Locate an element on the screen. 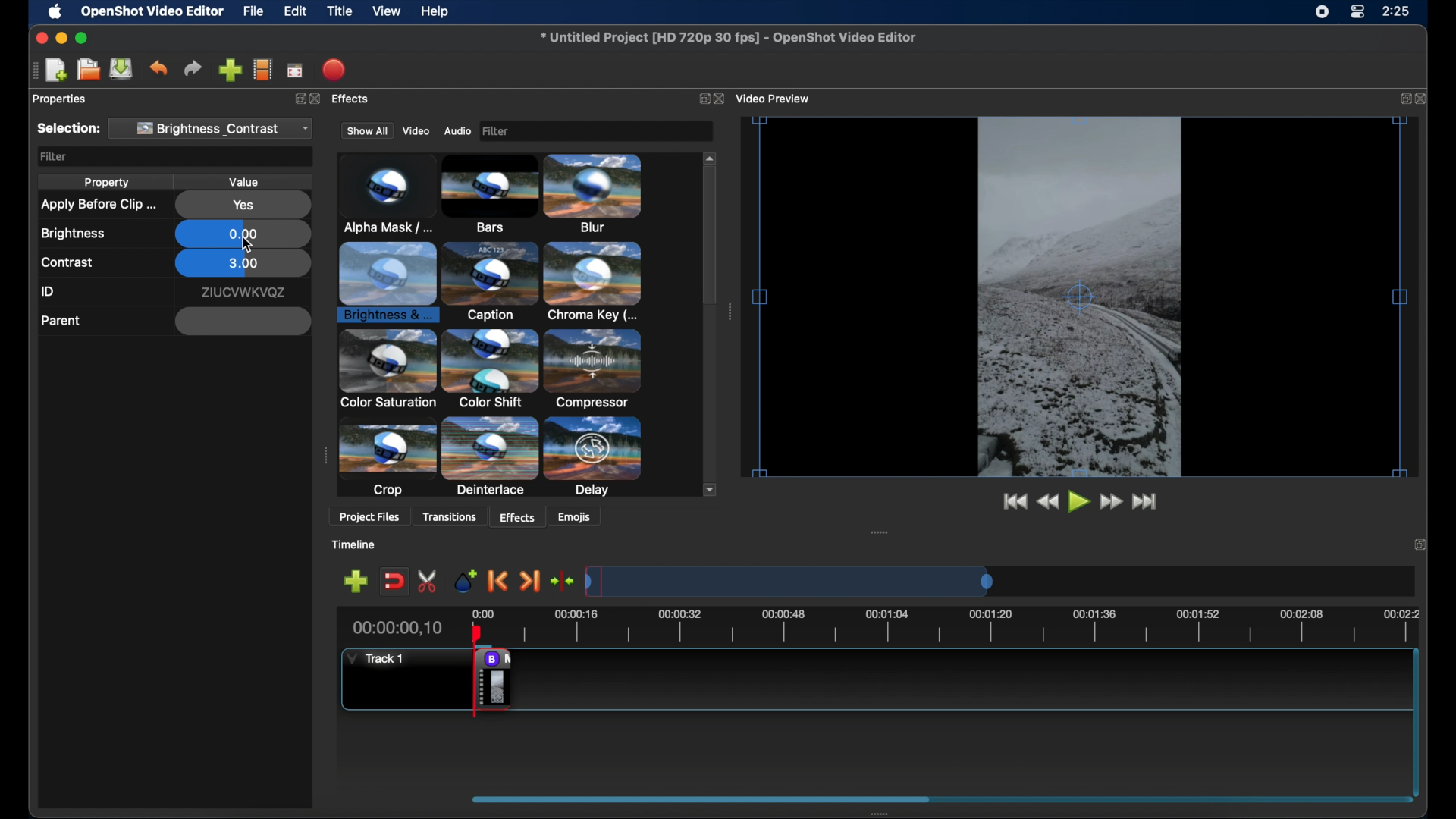 The height and width of the screenshot is (819, 1456). 3.00 is located at coordinates (243, 265).